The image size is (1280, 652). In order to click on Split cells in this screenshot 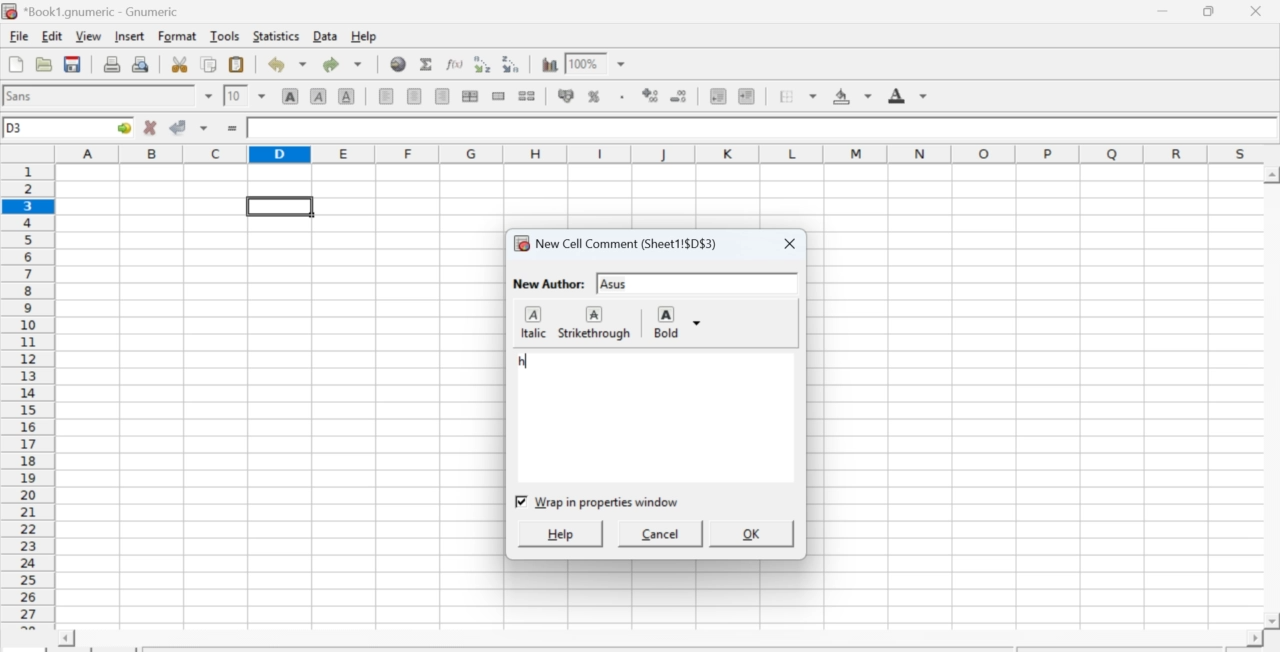, I will do `click(526, 96)`.